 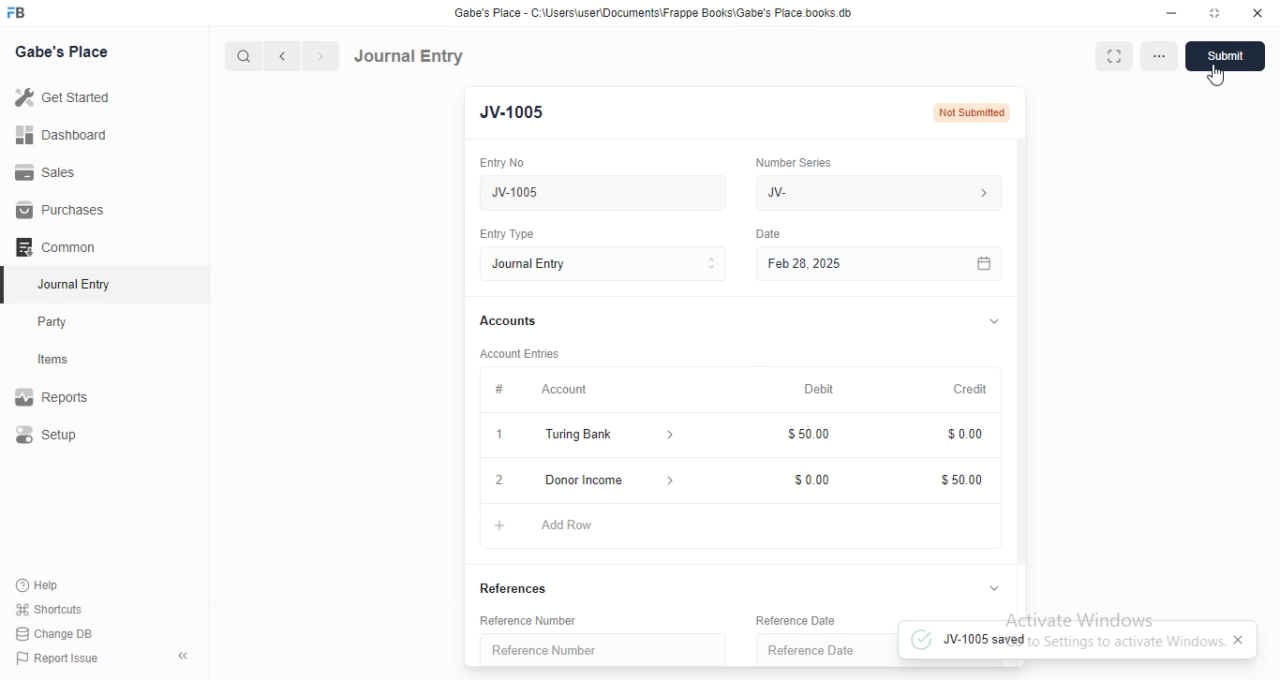 I want to click on Purchases, so click(x=63, y=210).